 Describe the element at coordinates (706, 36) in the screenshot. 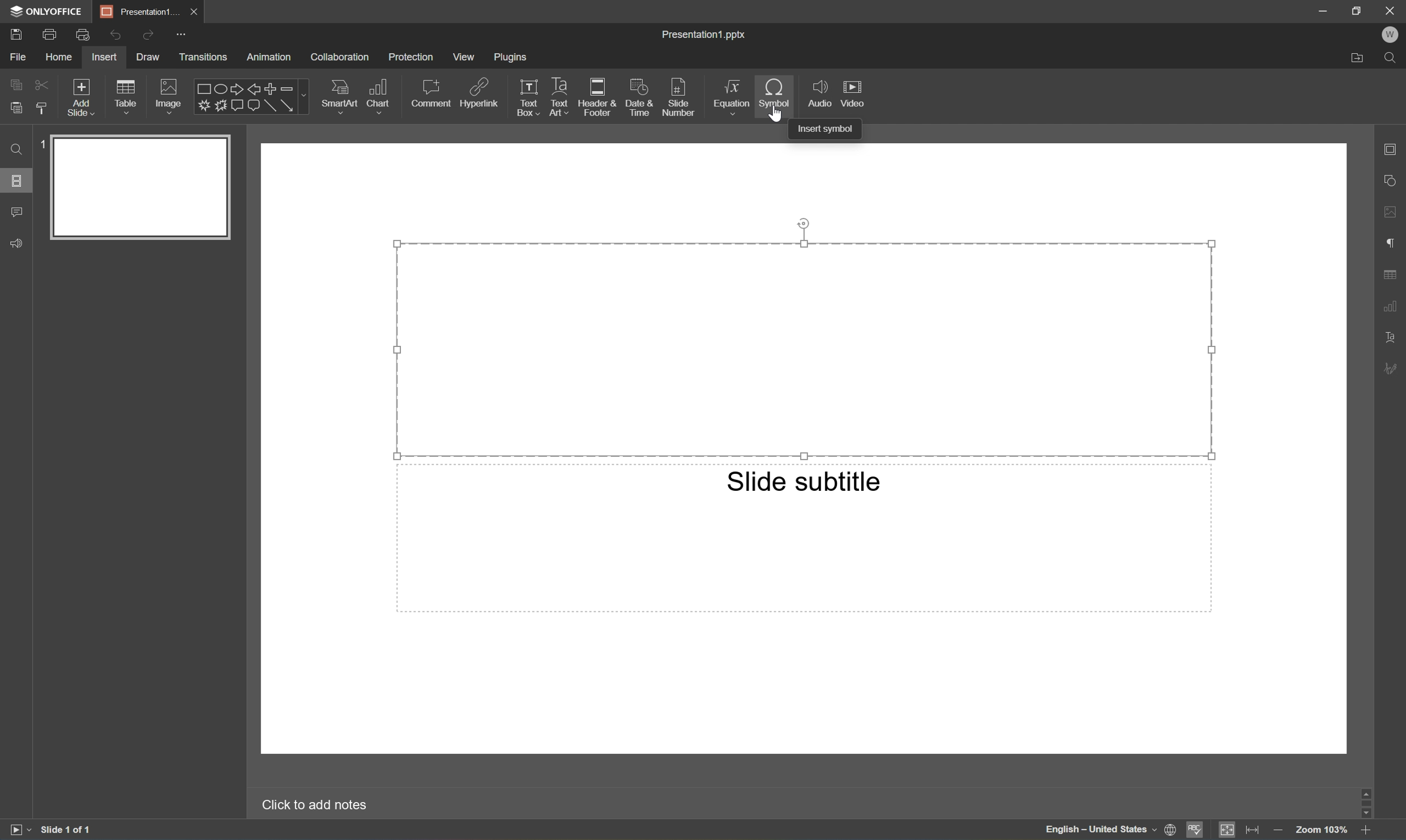

I see `Presentation1.pptx` at that location.